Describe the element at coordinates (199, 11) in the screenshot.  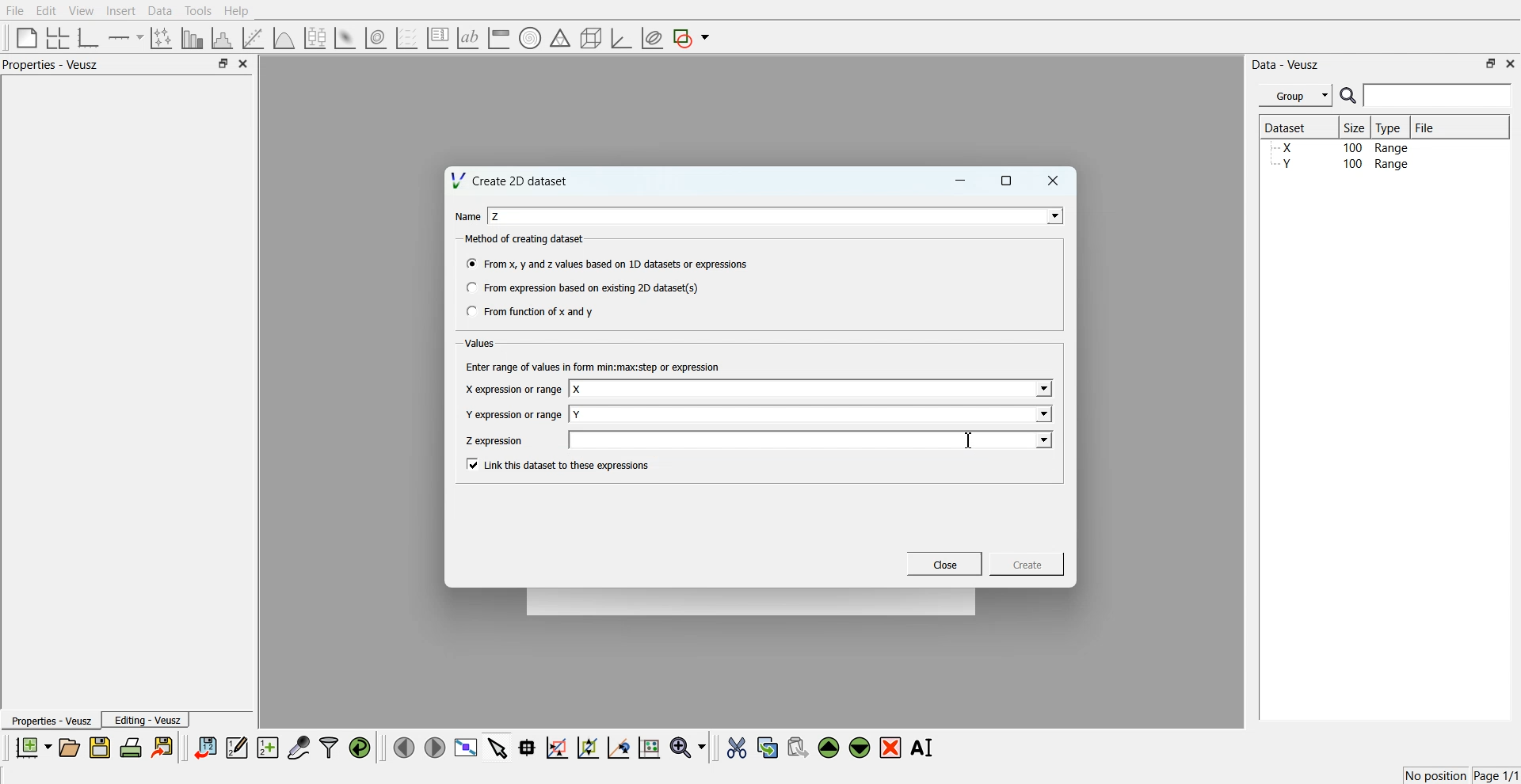
I see `Tools` at that location.